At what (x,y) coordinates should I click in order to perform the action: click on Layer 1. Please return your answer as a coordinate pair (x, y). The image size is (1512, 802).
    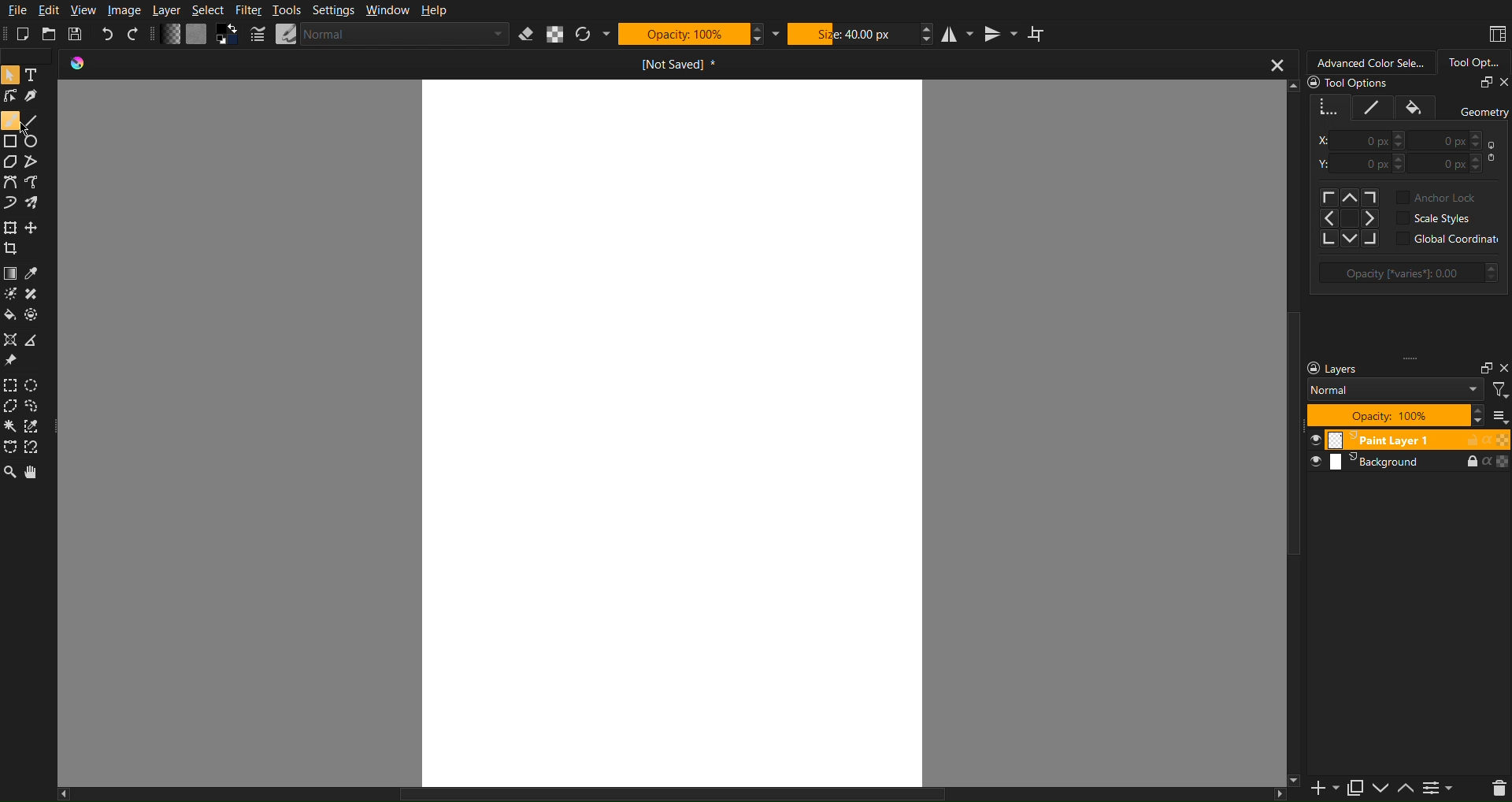
    Looking at the image, I should click on (1406, 439).